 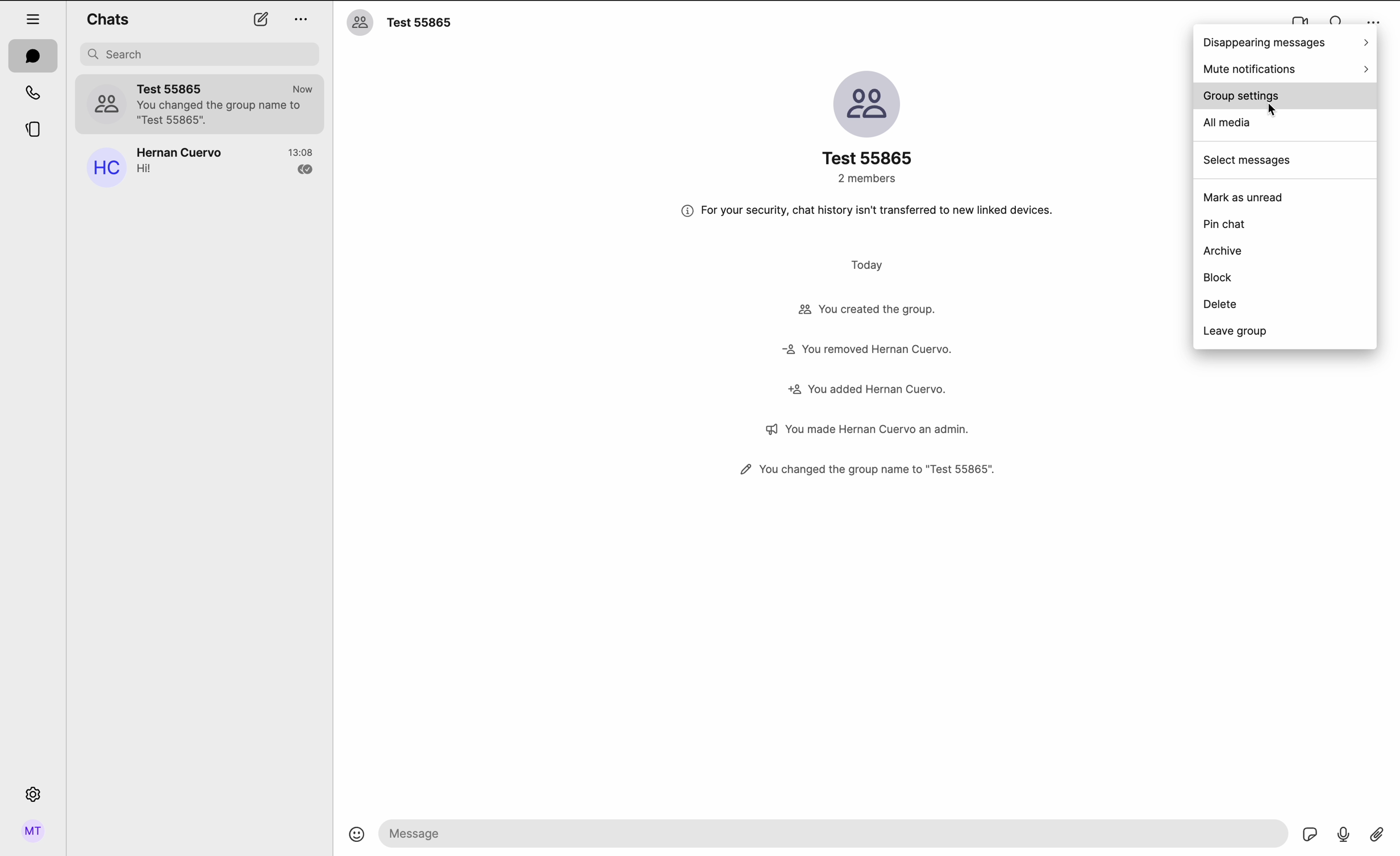 I want to click on emojis, so click(x=357, y=840).